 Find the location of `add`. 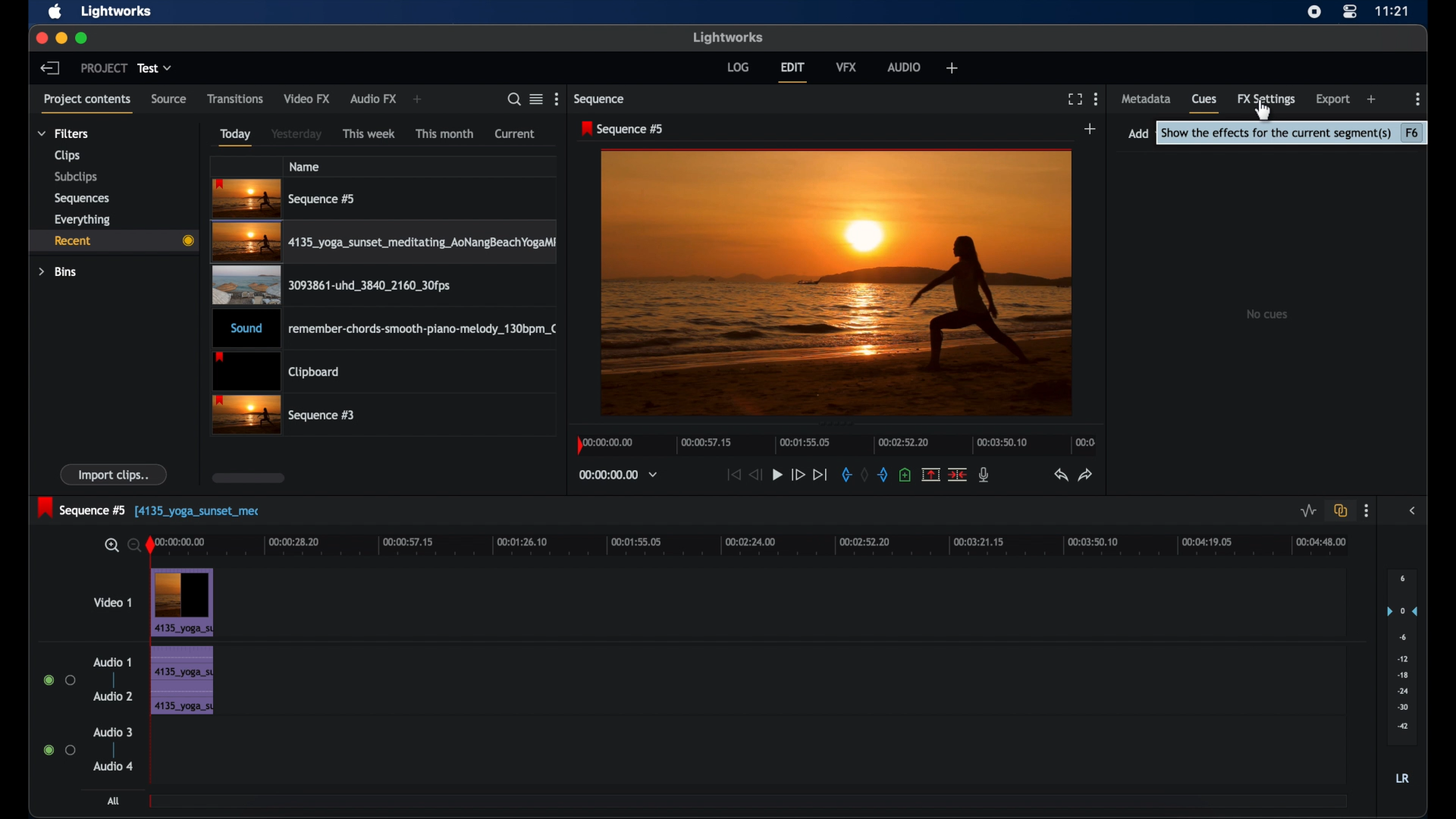

add is located at coordinates (1373, 99).